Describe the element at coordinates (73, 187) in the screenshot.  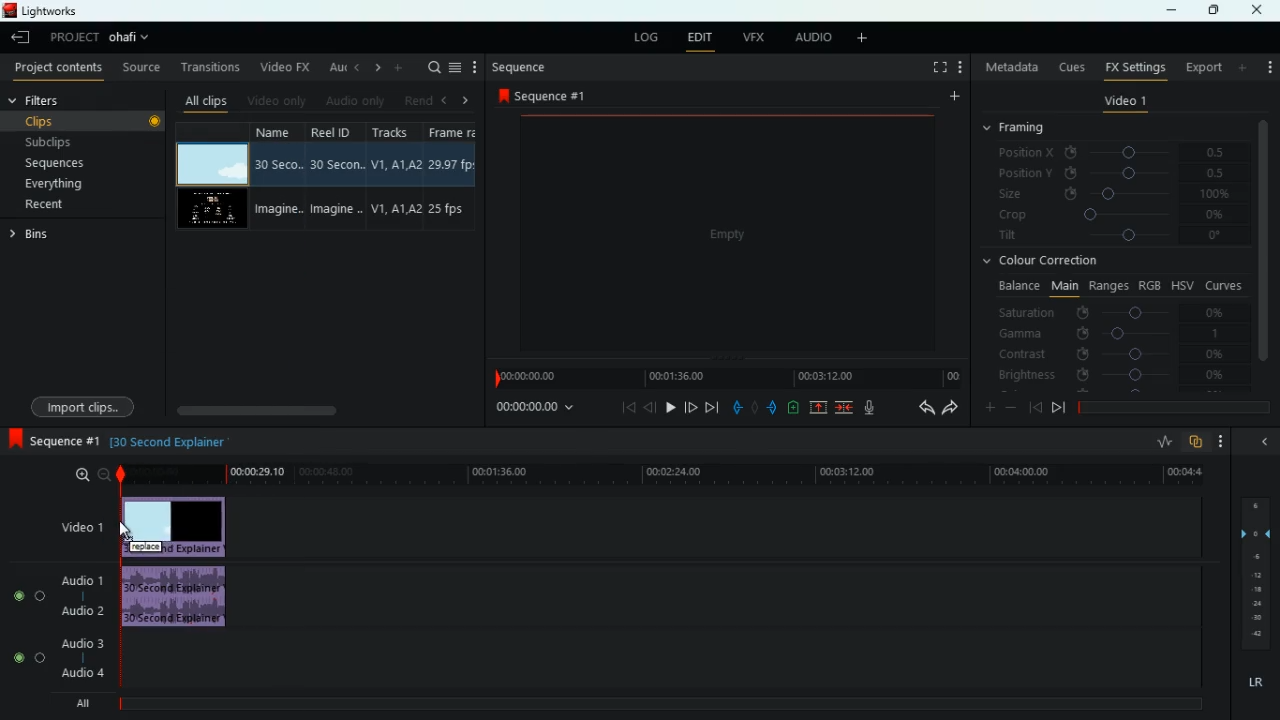
I see `everything` at that location.